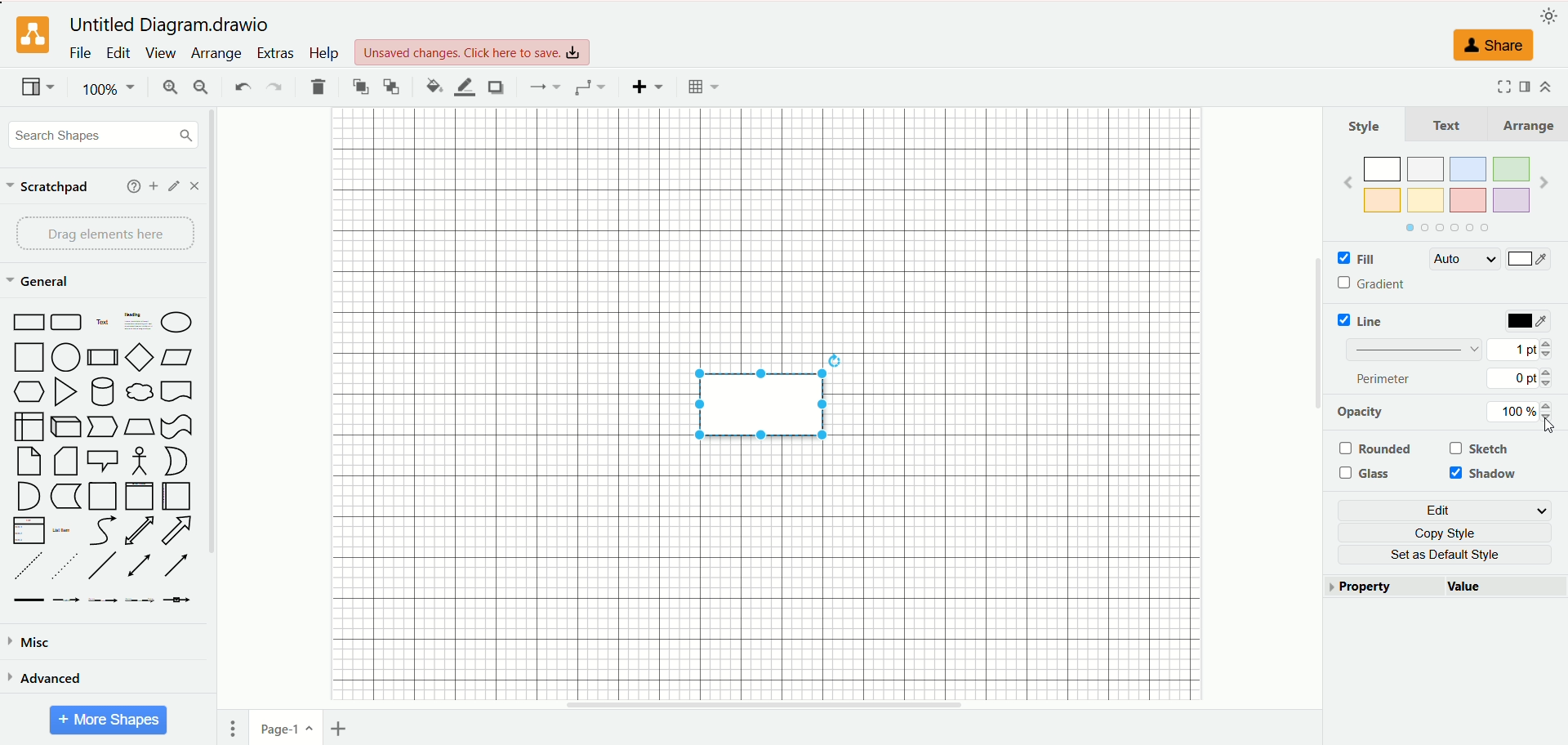 This screenshot has height=745, width=1568. Describe the element at coordinates (102, 459) in the screenshot. I see `shapes` at that location.